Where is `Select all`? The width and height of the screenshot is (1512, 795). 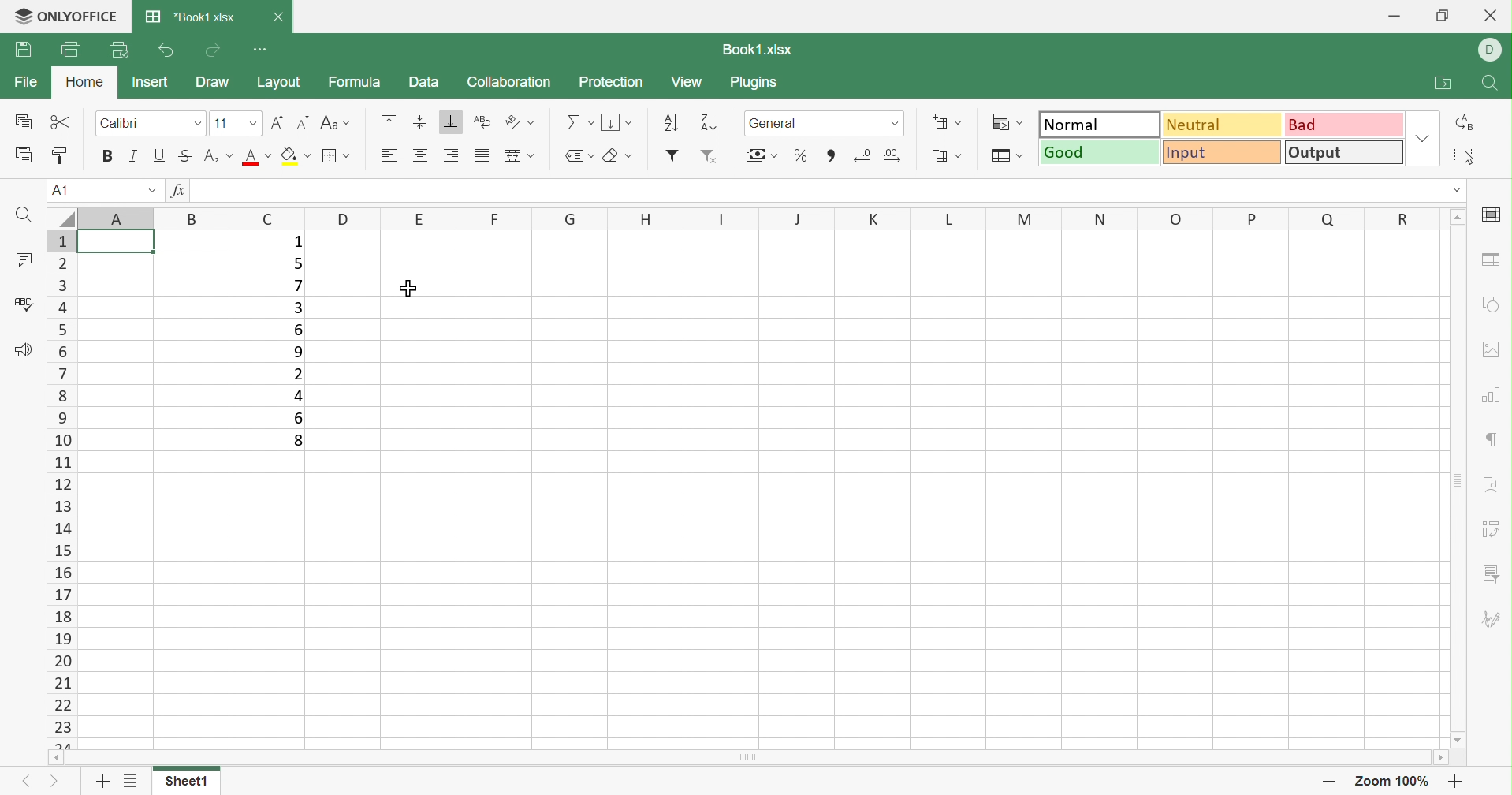 Select all is located at coordinates (1465, 158).